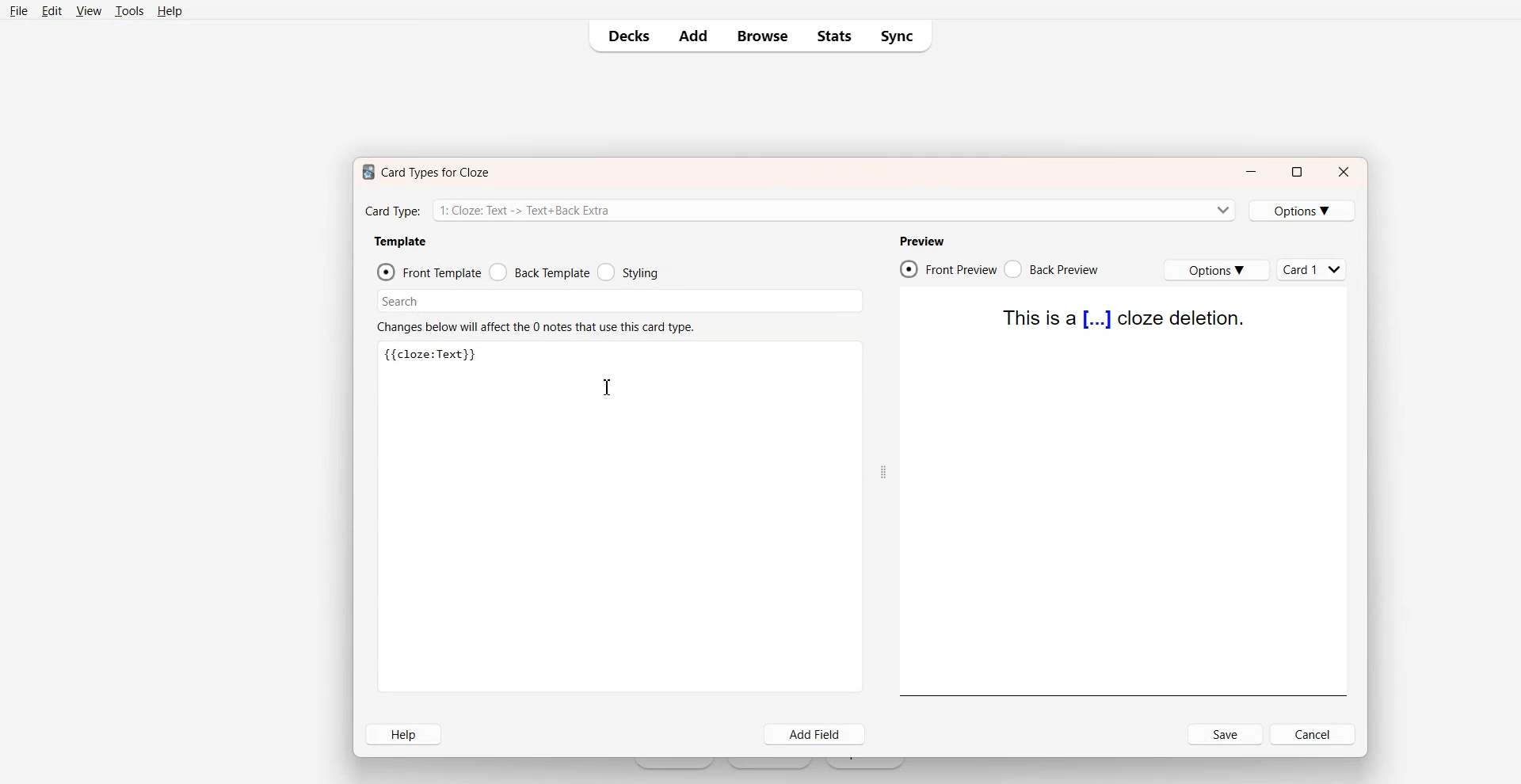 The height and width of the screenshot is (784, 1521). I want to click on Minimize, so click(1251, 173).